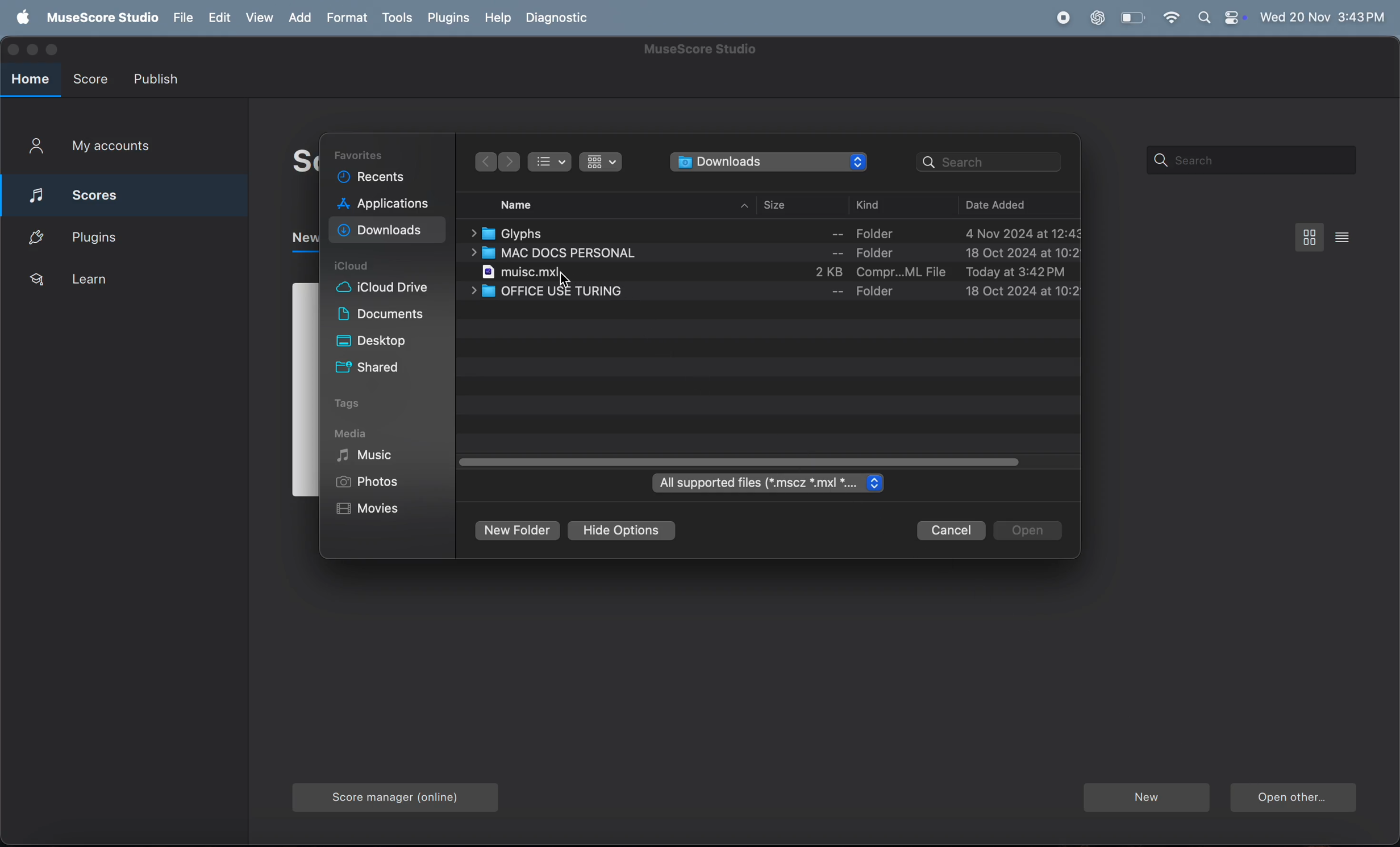  What do you see at coordinates (1132, 17) in the screenshot?
I see `battery` at bounding box center [1132, 17].